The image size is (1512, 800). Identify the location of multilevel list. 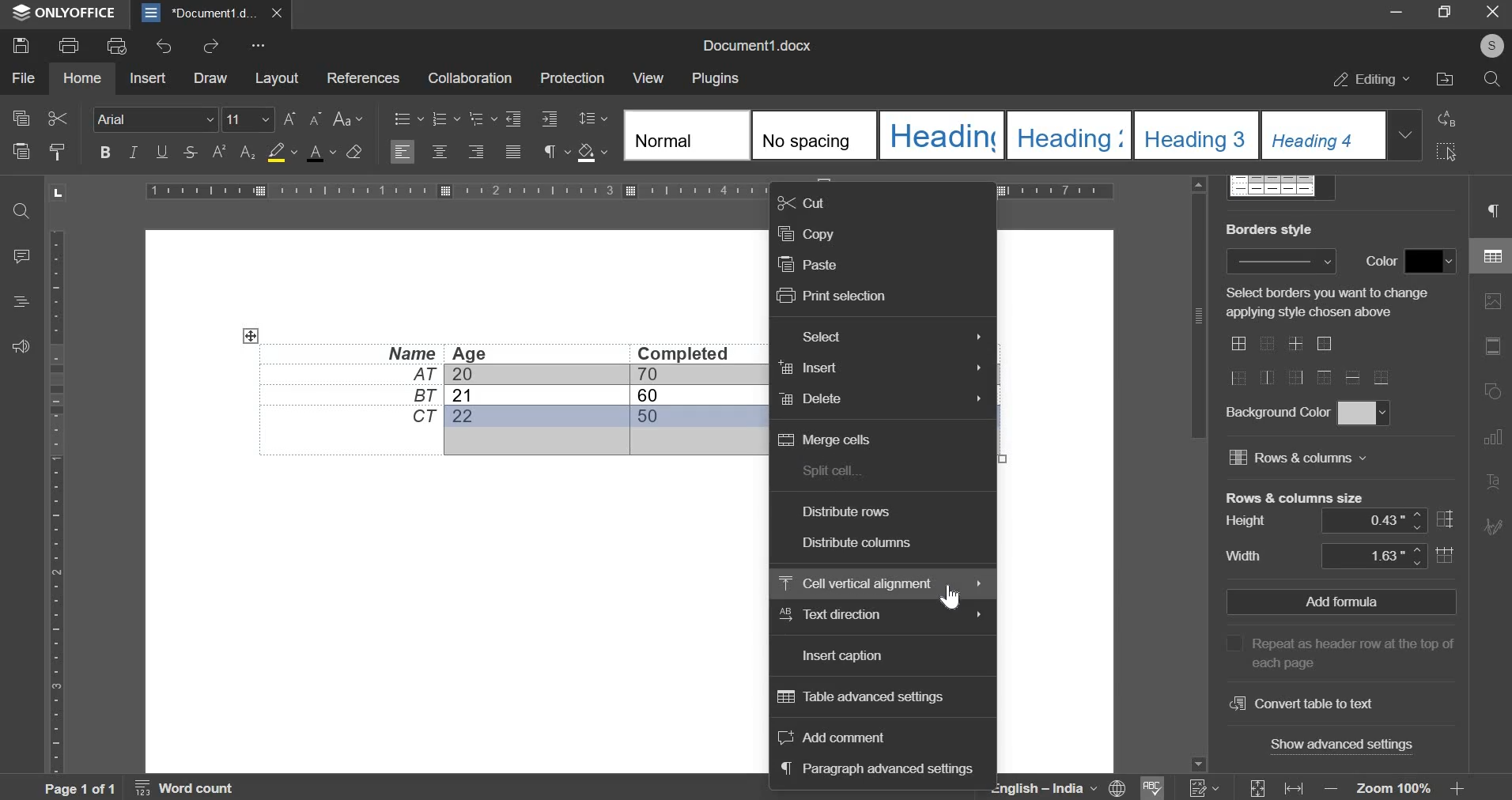
(481, 119).